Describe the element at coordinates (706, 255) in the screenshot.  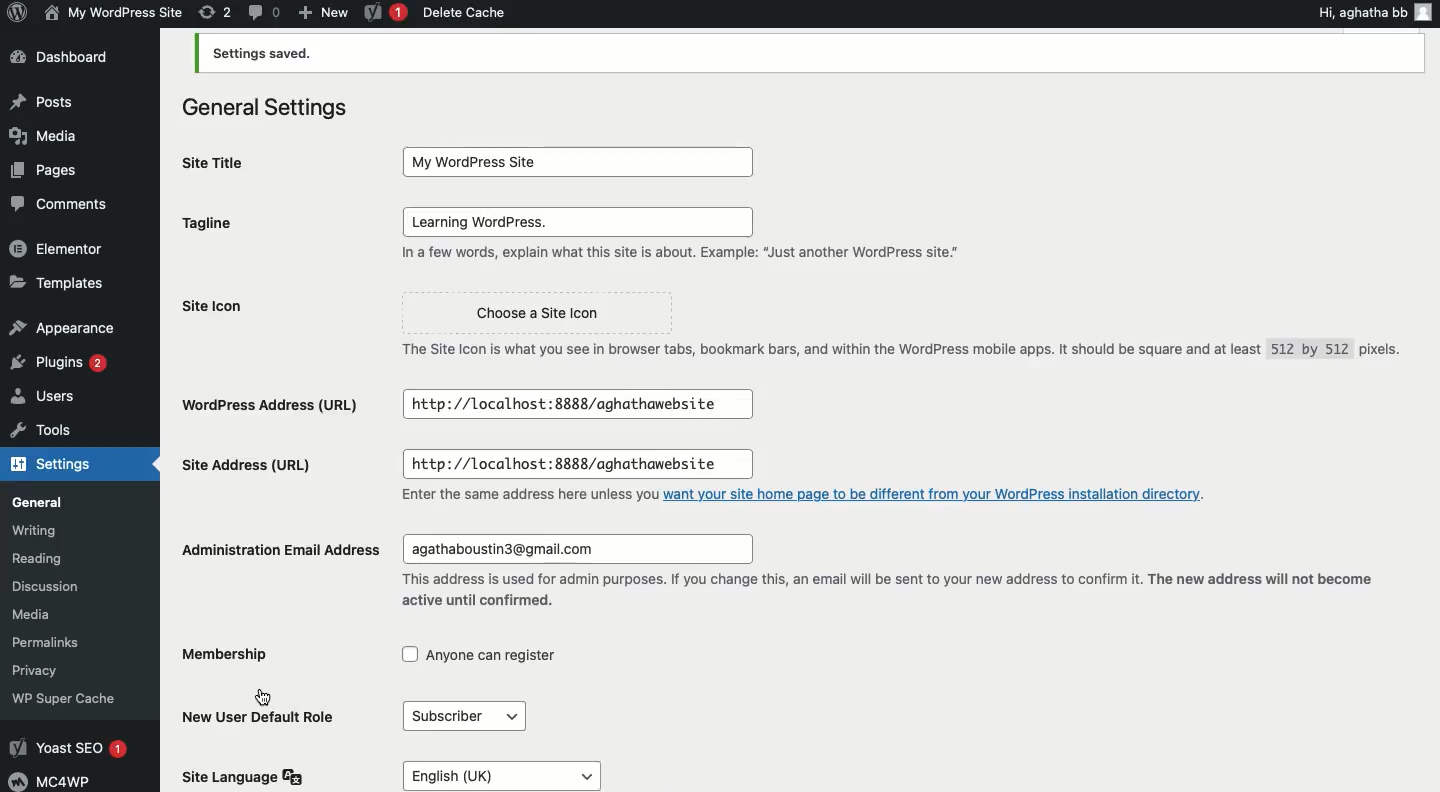
I see ` In a few words, explain what this site is about. Example: “Just another WordPress site."` at that location.